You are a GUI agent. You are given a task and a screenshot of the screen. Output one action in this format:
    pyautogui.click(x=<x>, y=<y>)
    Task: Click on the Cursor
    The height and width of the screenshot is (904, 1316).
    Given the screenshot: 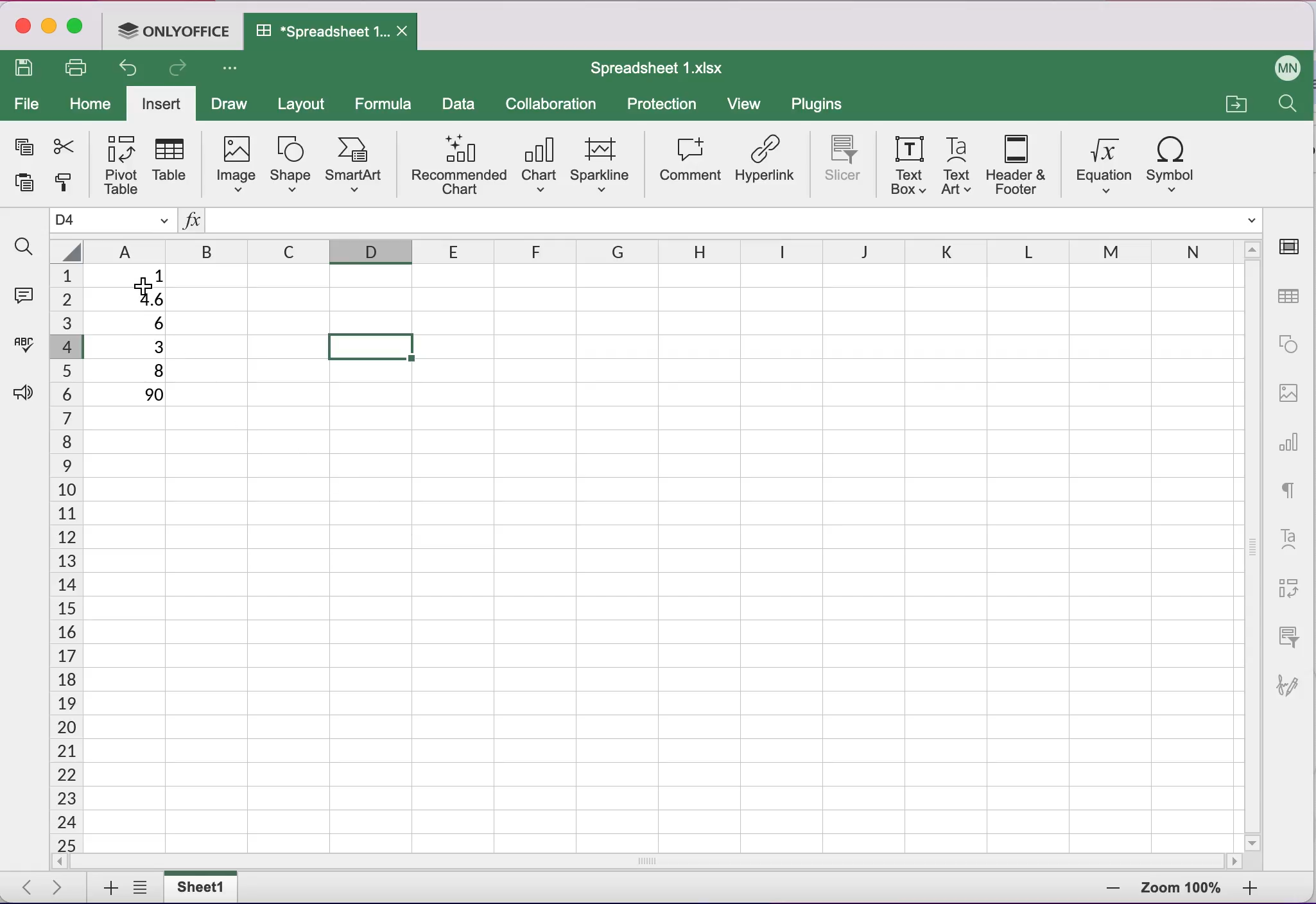 What is the action you would take?
    pyautogui.click(x=134, y=283)
    